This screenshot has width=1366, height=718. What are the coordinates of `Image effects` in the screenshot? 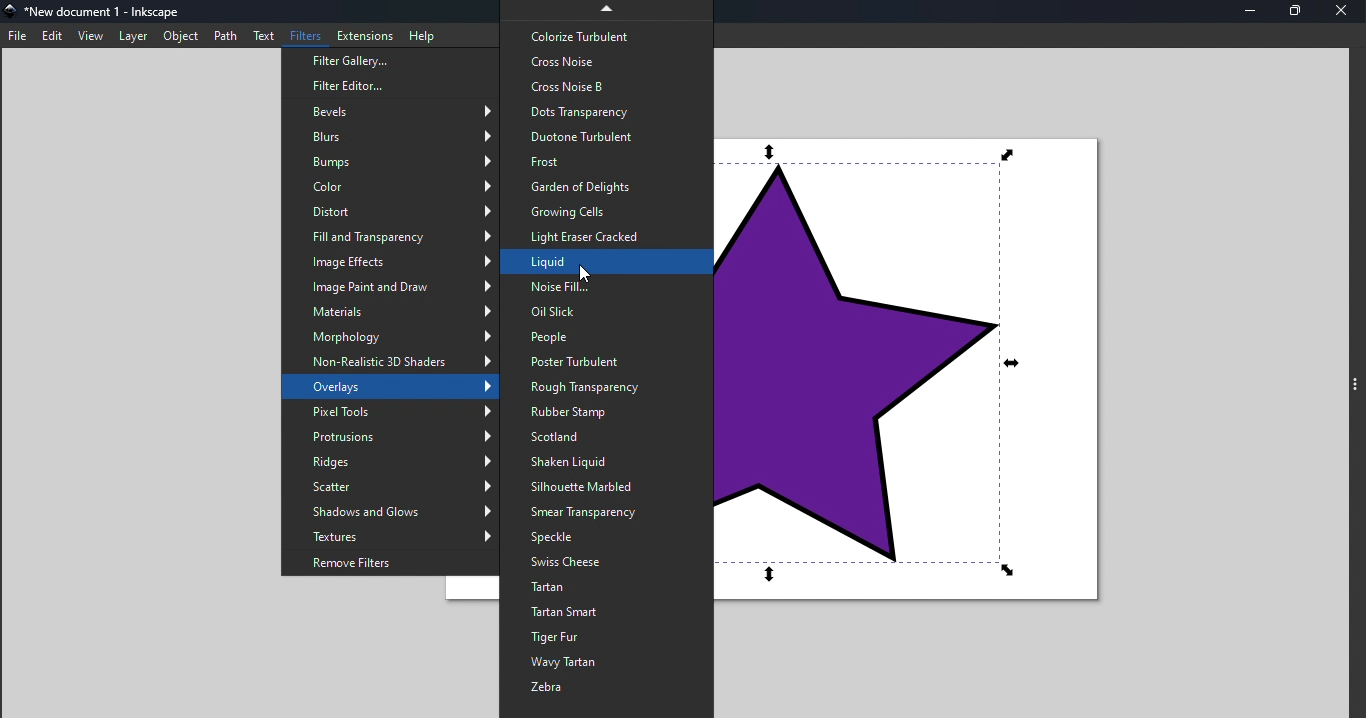 It's located at (389, 262).